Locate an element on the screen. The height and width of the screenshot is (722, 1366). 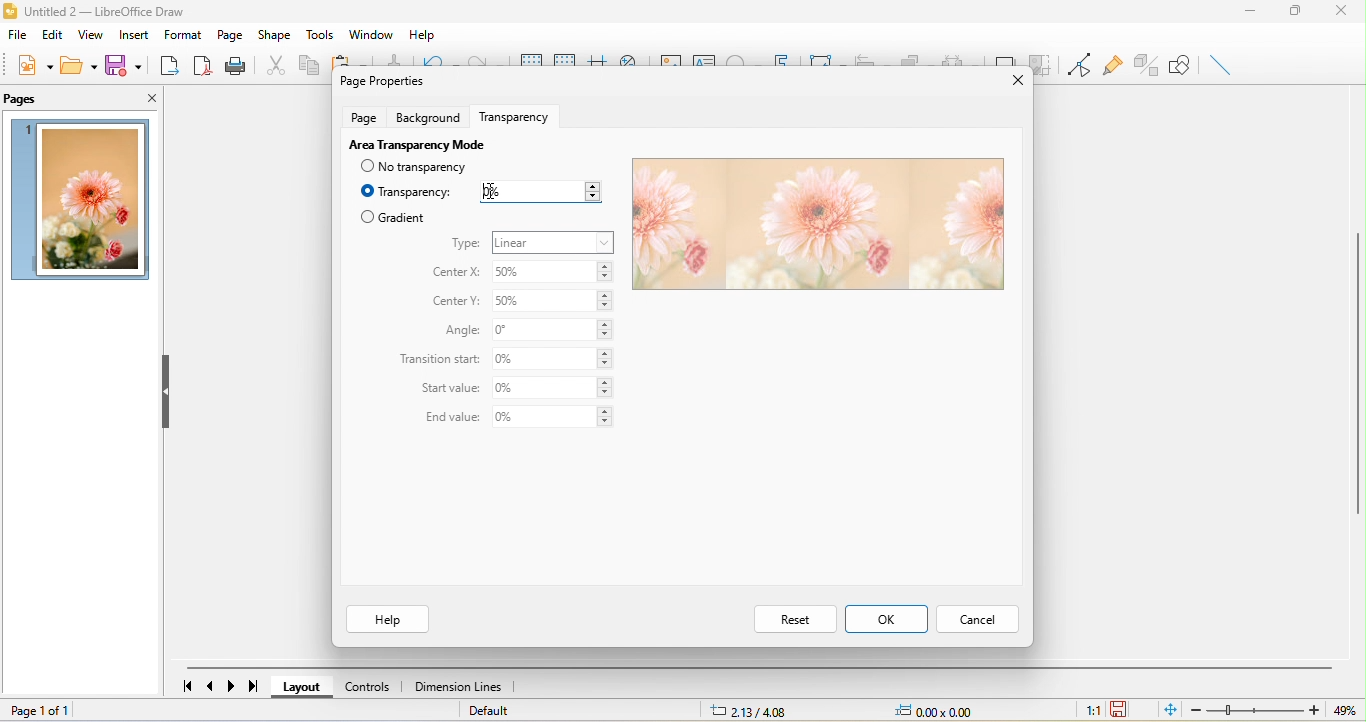
image transparency is located at coordinates (815, 225).